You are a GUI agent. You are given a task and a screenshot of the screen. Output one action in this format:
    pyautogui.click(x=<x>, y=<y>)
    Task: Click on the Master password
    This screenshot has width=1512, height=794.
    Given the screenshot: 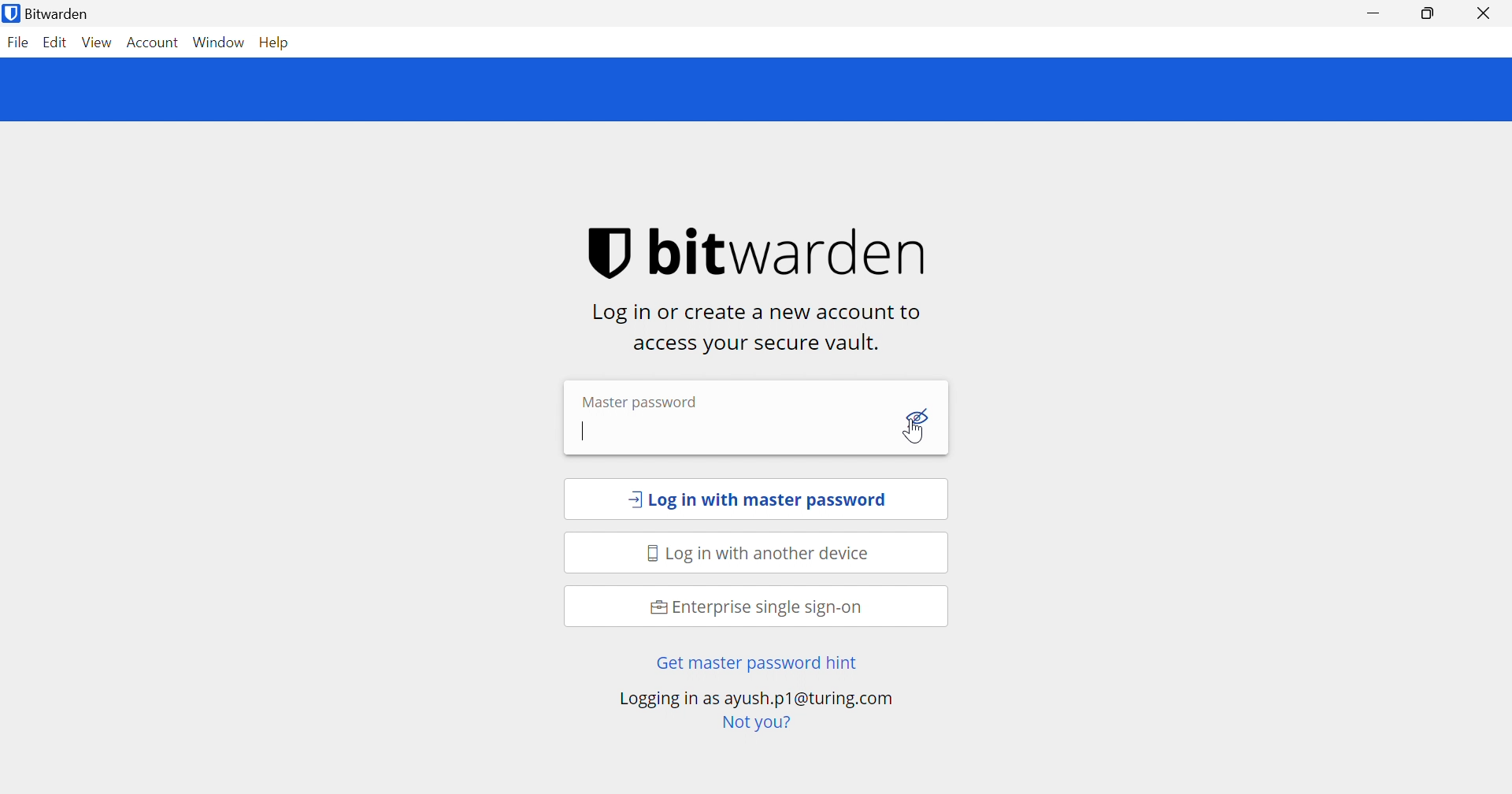 What is the action you would take?
    pyautogui.click(x=639, y=400)
    